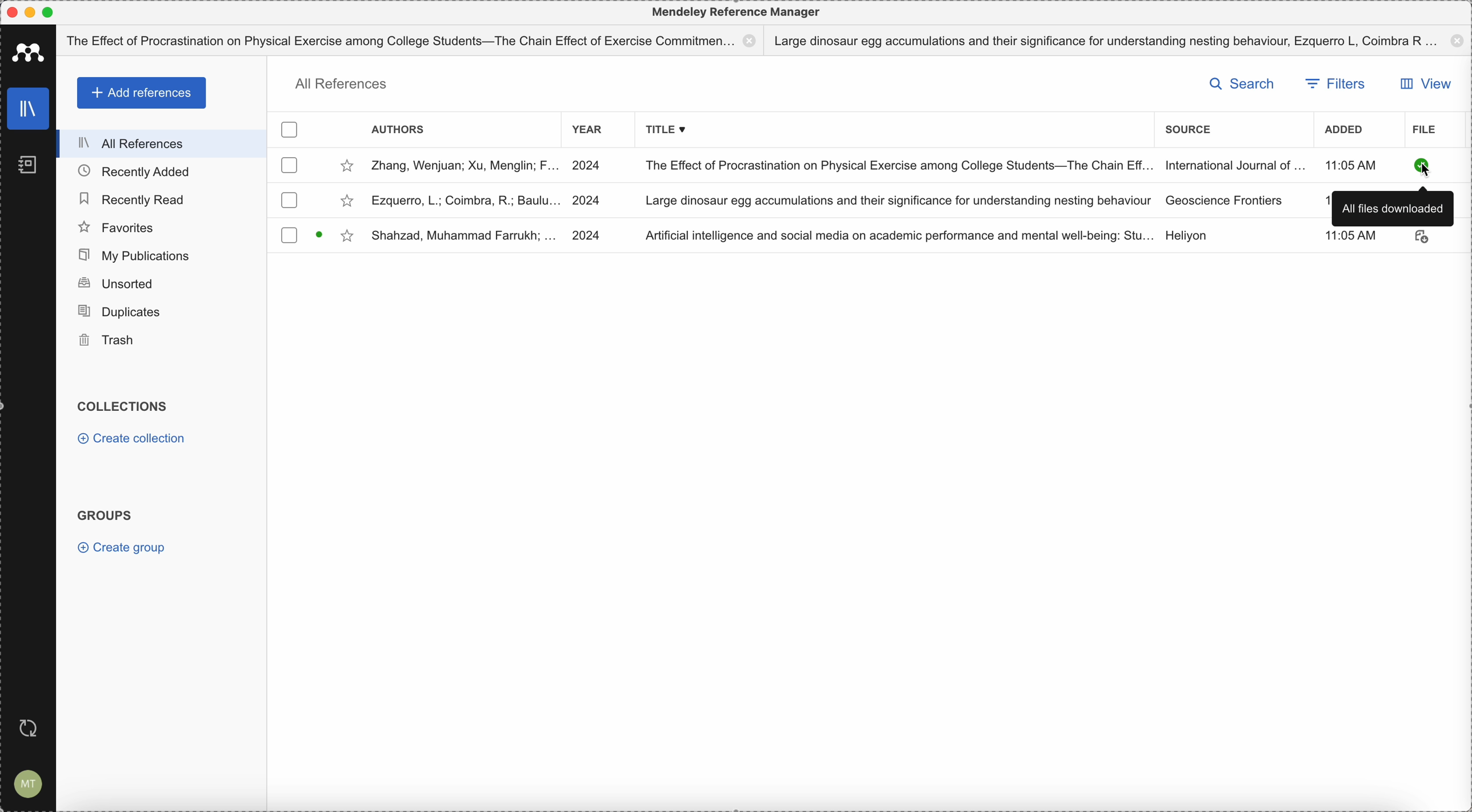 The image size is (1472, 812). What do you see at coordinates (898, 166) in the screenshot?
I see `The Effect of Procanist` at bounding box center [898, 166].